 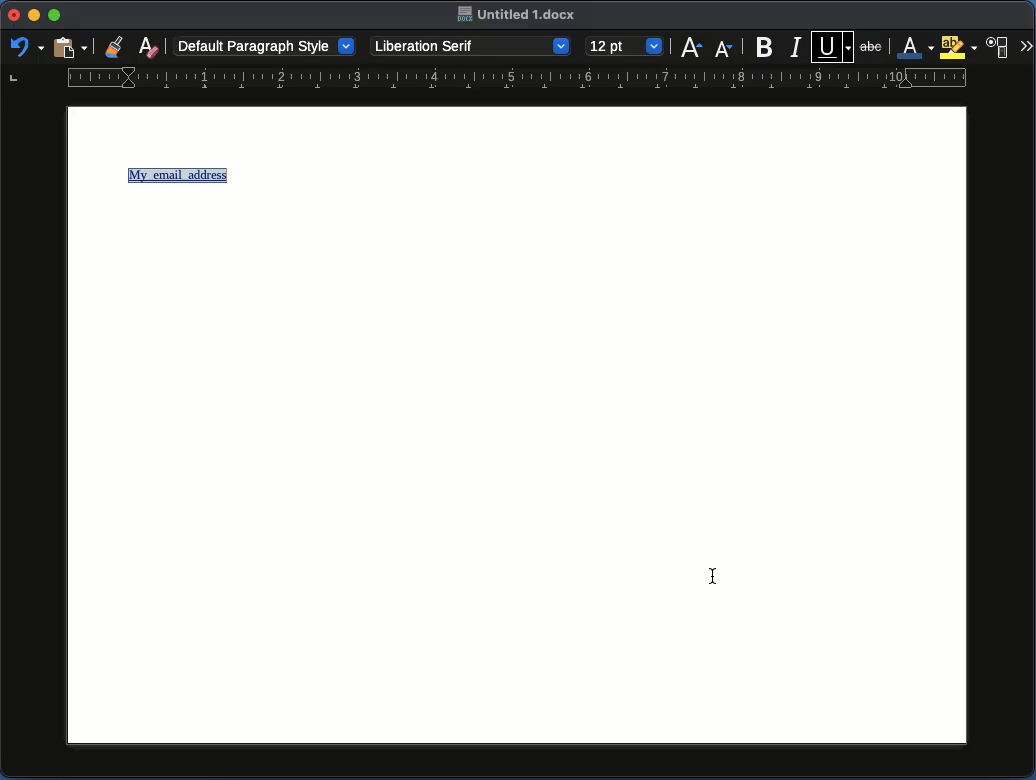 What do you see at coordinates (150, 45) in the screenshot?
I see `Clear formatting` at bounding box center [150, 45].